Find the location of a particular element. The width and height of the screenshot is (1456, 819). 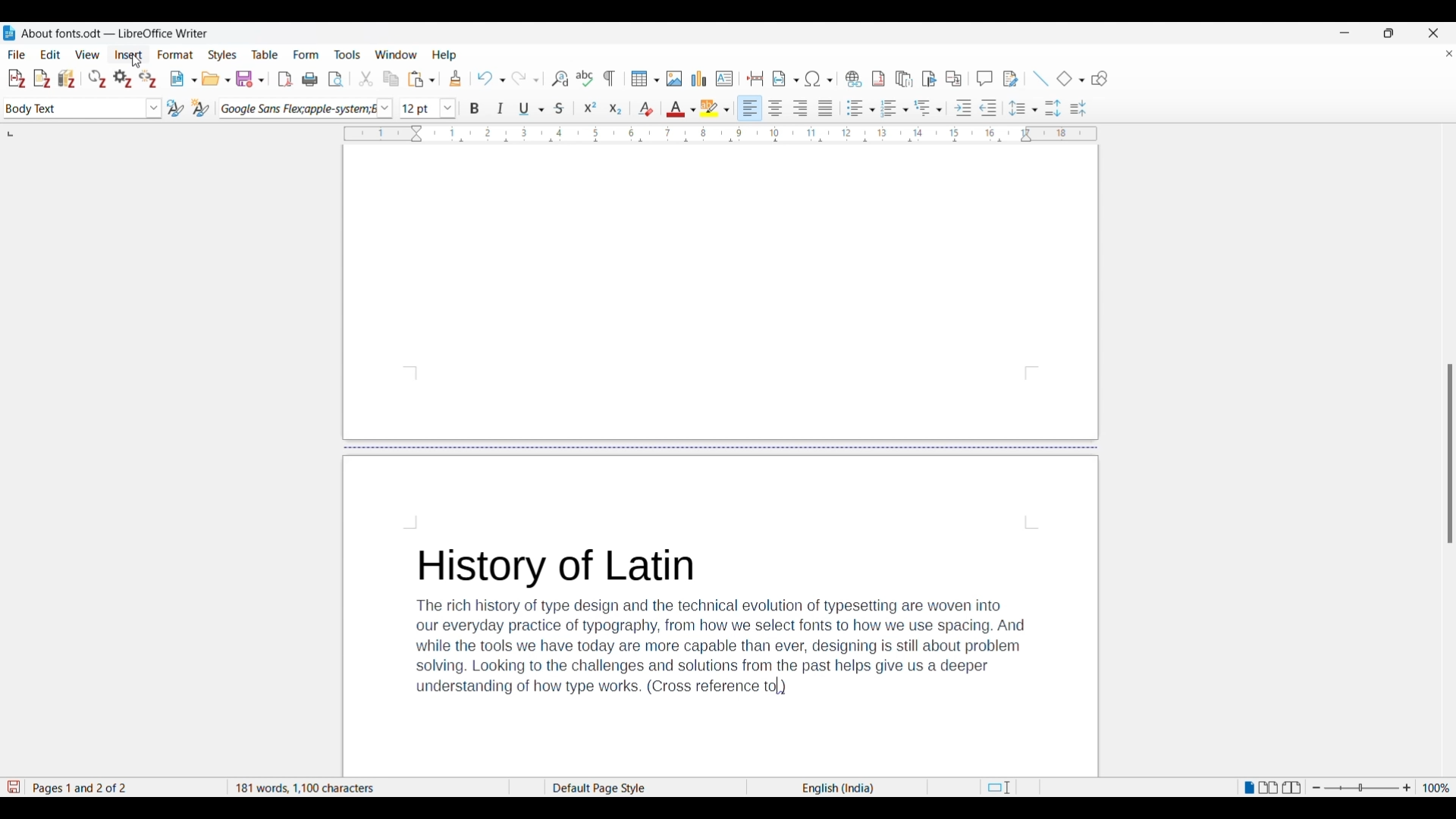

Show interface in a smaller tab is located at coordinates (1389, 33).